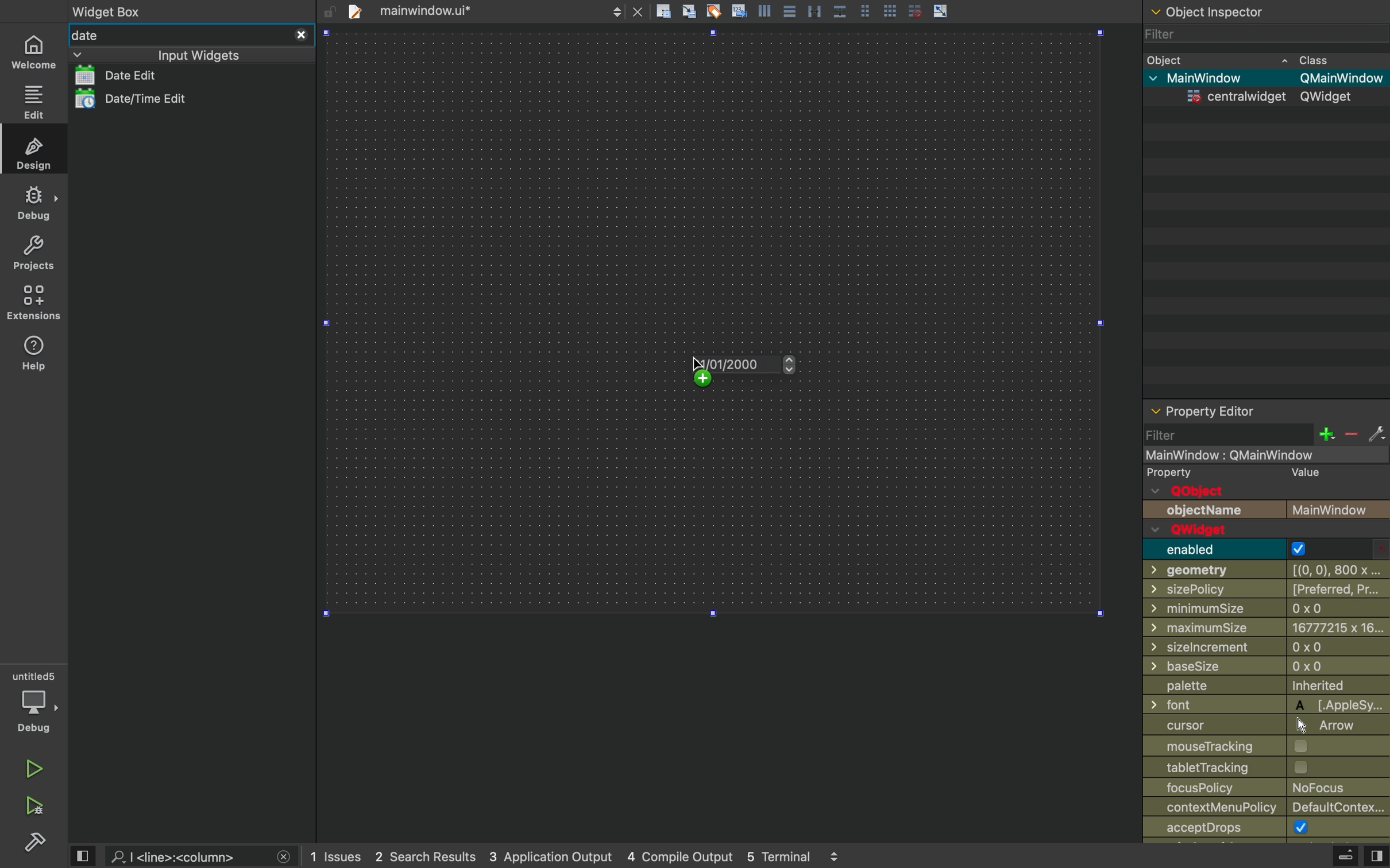 This screenshot has height=868, width=1390. Describe the element at coordinates (941, 10) in the screenshot. I see `scale object` at that location.